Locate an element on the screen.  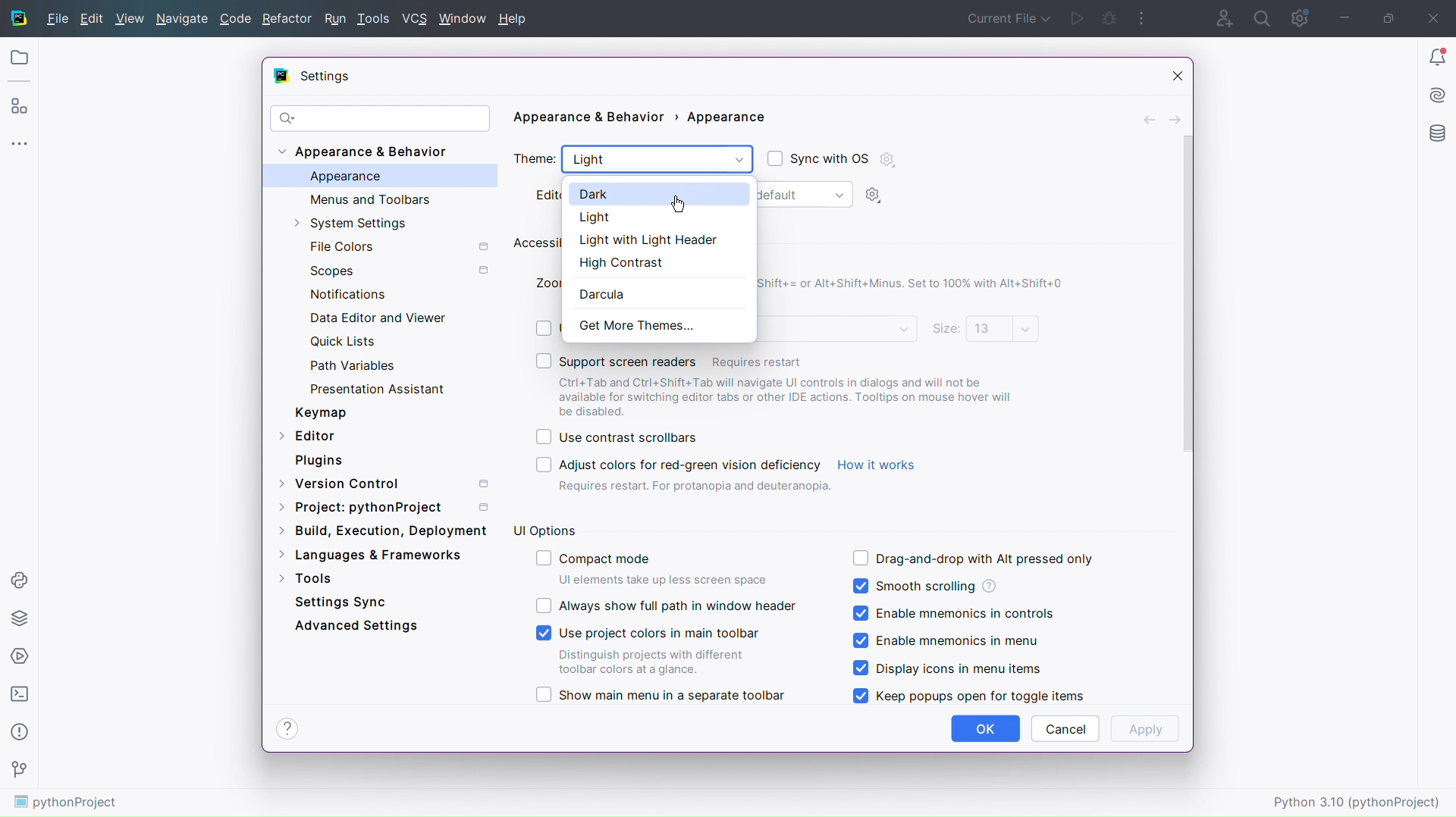
Install AI assistant is located at coordinates (1437, 93).